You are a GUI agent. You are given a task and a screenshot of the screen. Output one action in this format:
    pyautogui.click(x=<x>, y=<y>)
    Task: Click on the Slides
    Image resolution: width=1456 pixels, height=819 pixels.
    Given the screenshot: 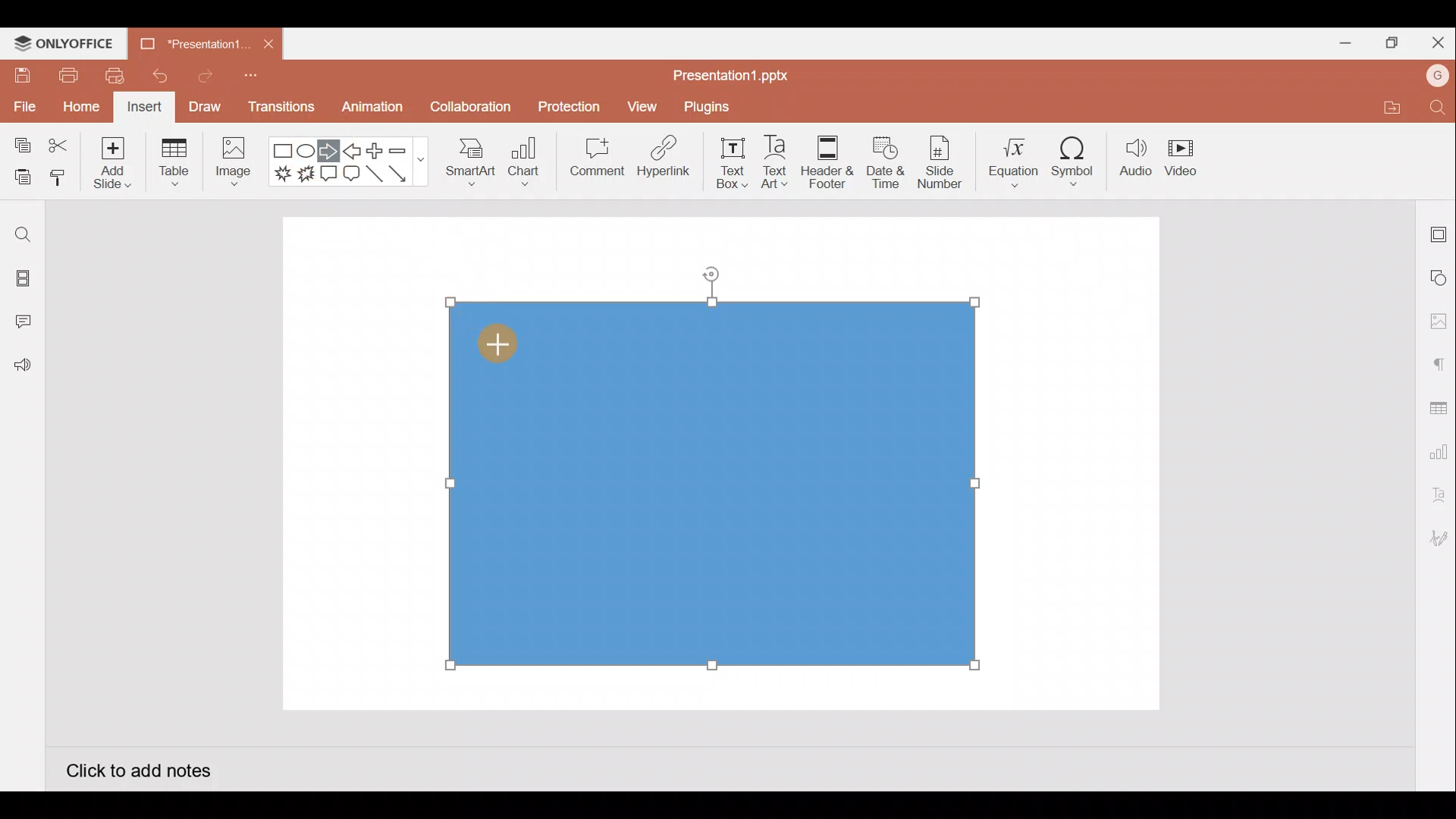 What is the action you would take?
    pyautogui.click(x=21, y=281)
    